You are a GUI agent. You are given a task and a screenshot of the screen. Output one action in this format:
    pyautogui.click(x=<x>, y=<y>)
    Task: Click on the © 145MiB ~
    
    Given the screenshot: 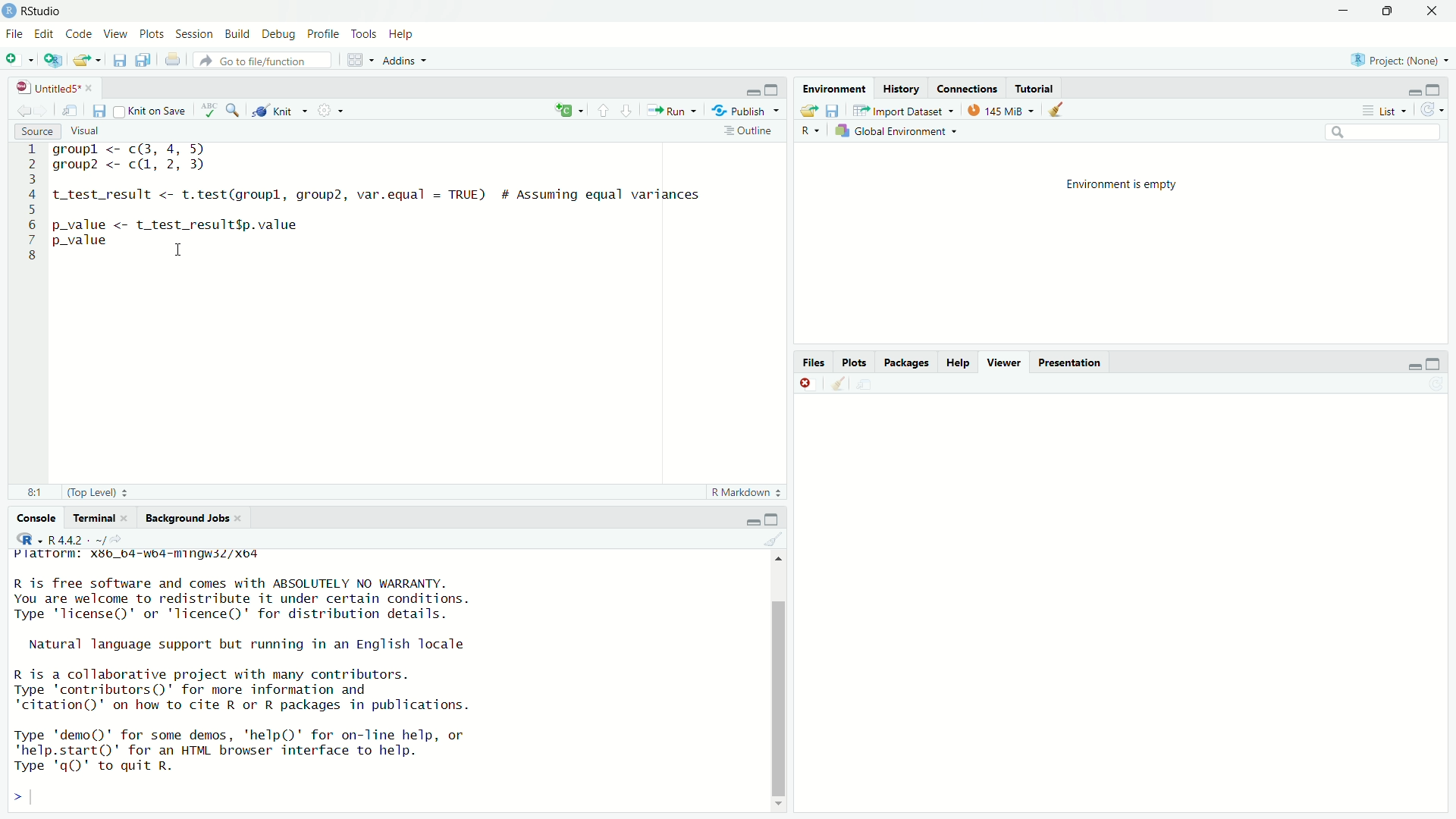 What is the action you would take?
    pyautogui.click(x=999, y=110)
    